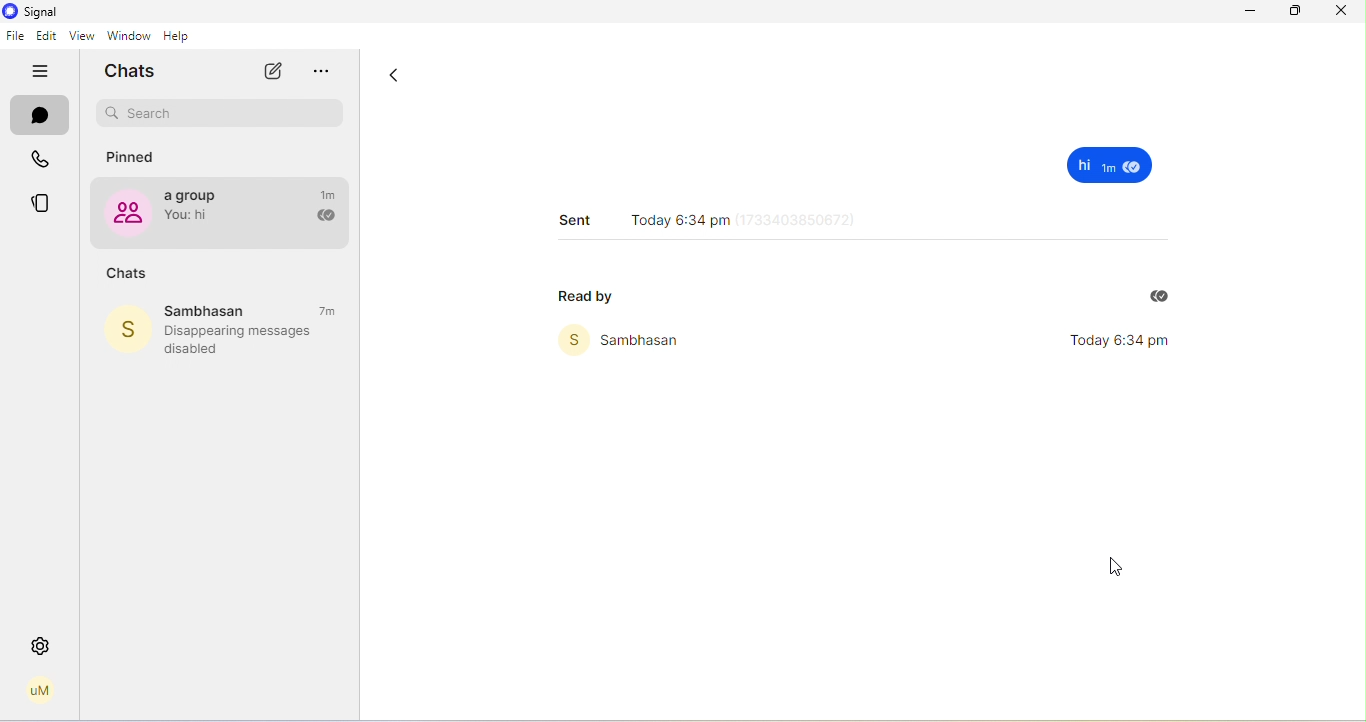  Describe the element at coordinates (221, 114) in the screenshot. I see `search bar` at that location.